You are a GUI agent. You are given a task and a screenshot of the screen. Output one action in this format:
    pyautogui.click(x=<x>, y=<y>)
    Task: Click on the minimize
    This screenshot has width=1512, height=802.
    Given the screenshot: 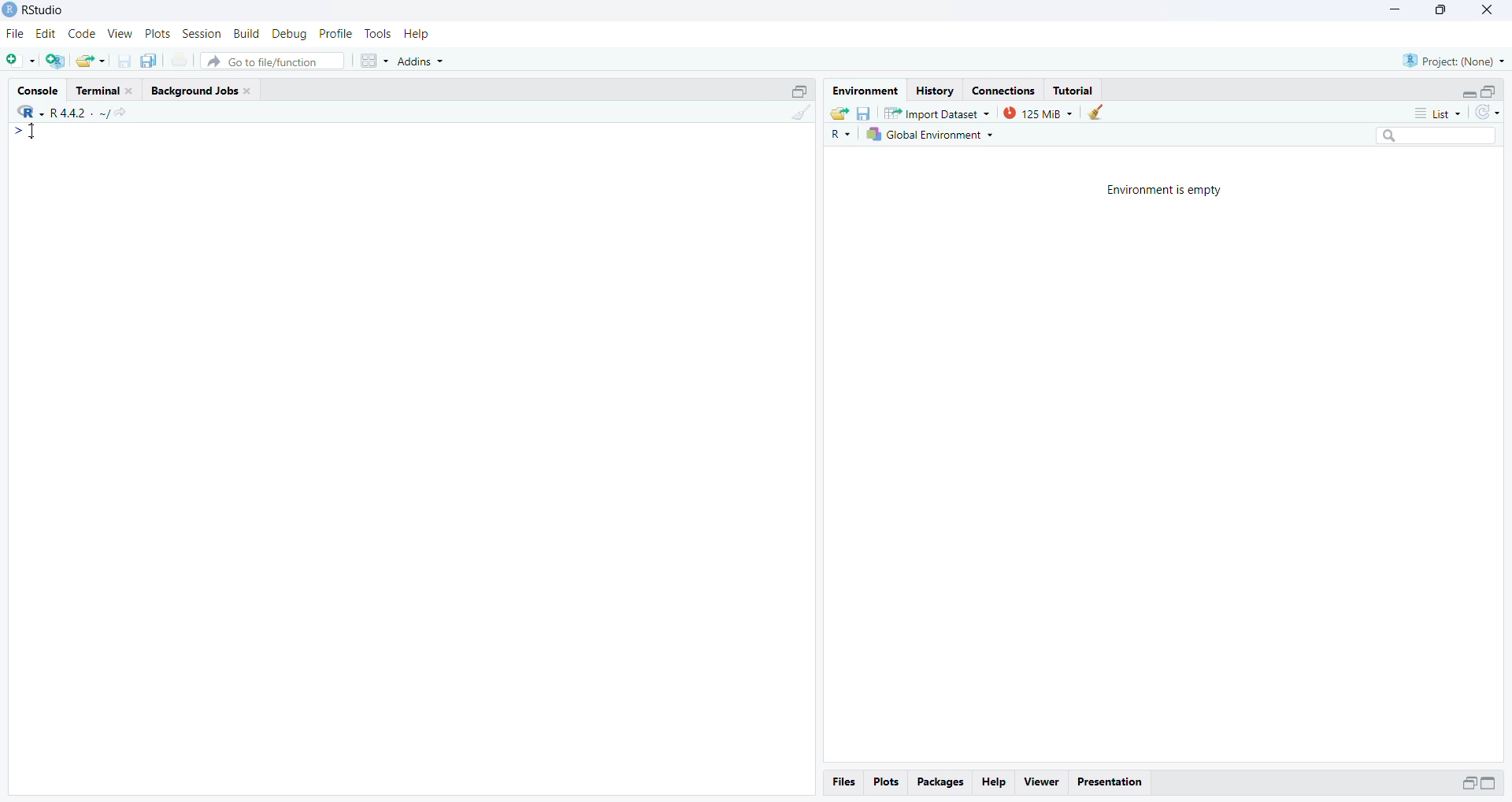 What is the action you would take?
    pyautogui.click(x=1488, y=783)
    